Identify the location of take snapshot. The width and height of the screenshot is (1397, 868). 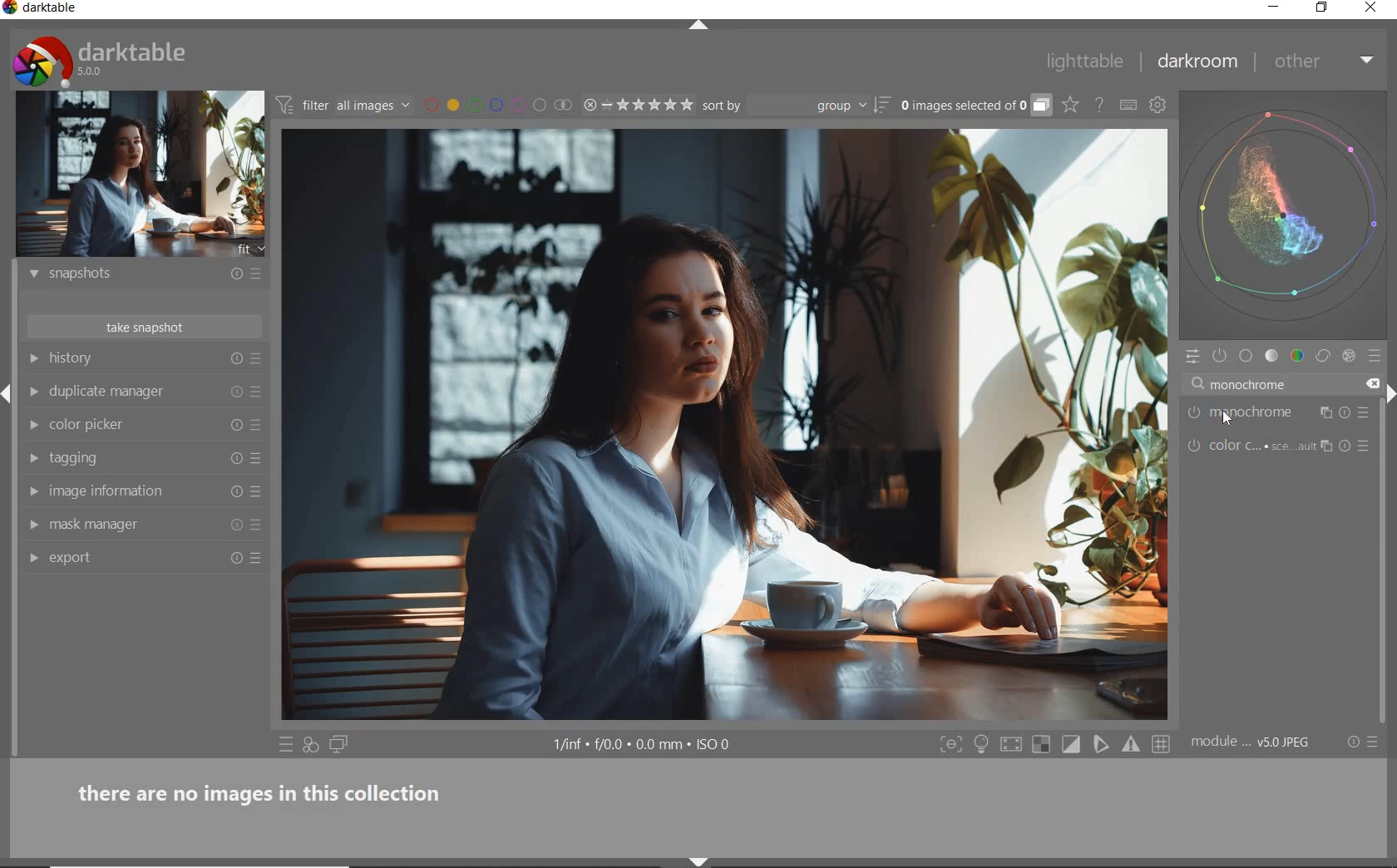
(141, 327).